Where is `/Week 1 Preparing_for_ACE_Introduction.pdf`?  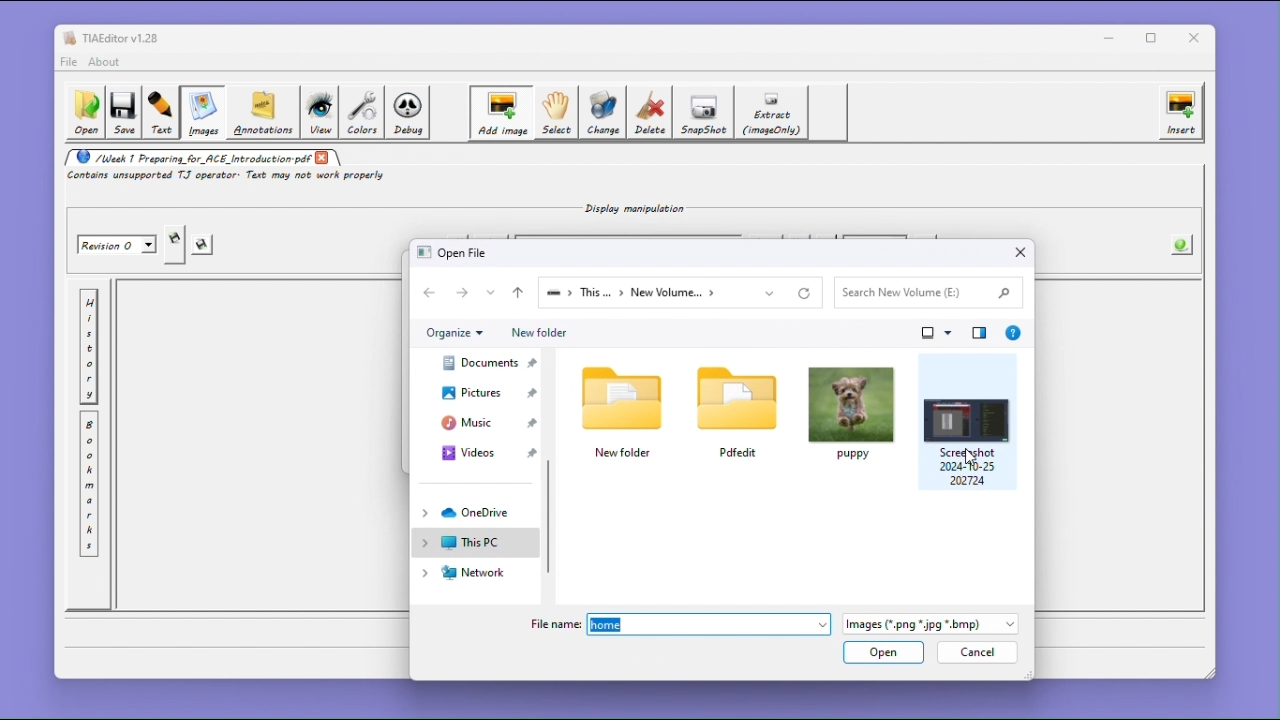
/Week 1 Preparing_for_ACE_Introduction.pdf is located at coordinates (188, 157).